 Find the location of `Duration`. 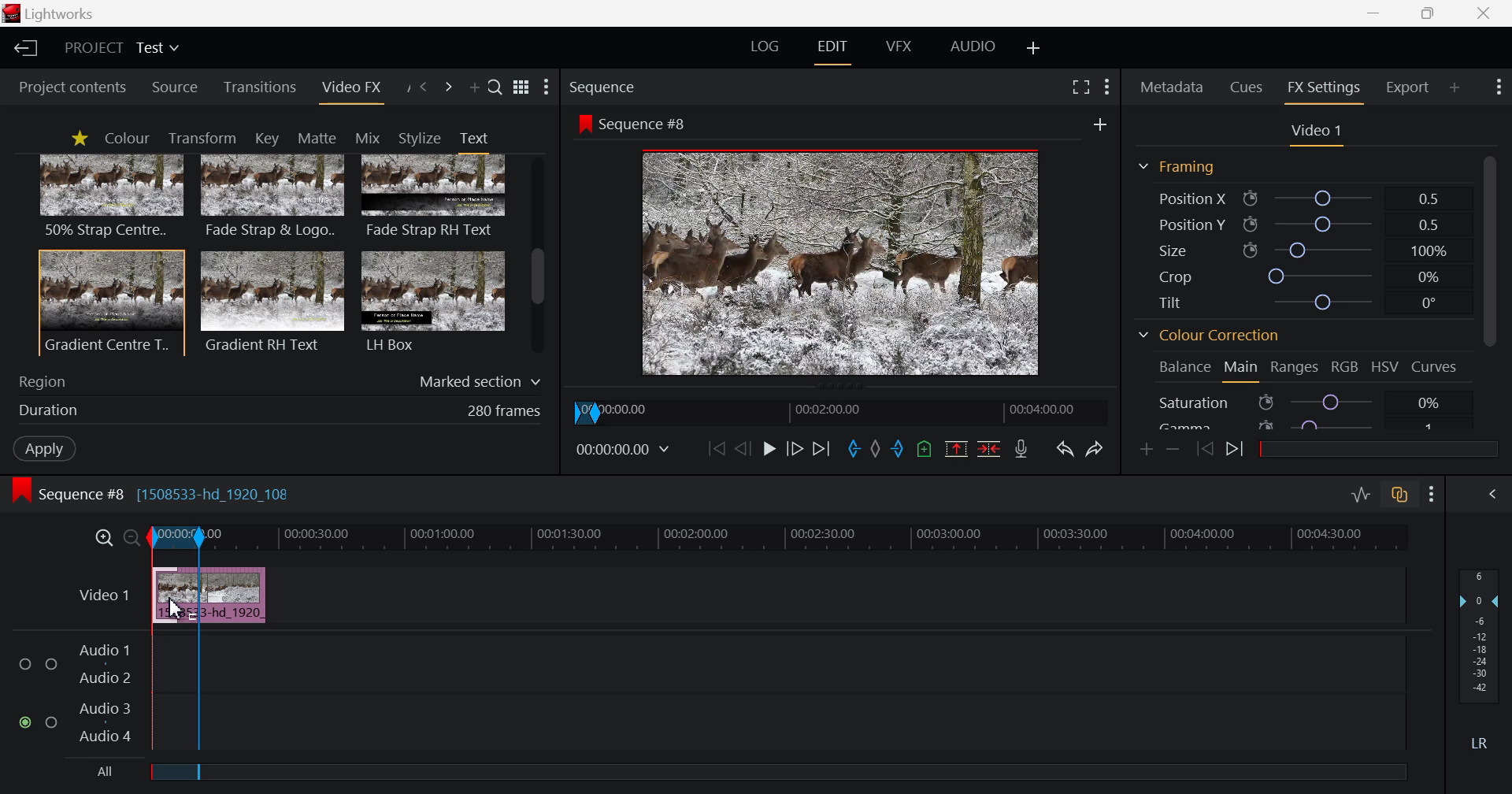

Duration is located at coordinates (276, 410).